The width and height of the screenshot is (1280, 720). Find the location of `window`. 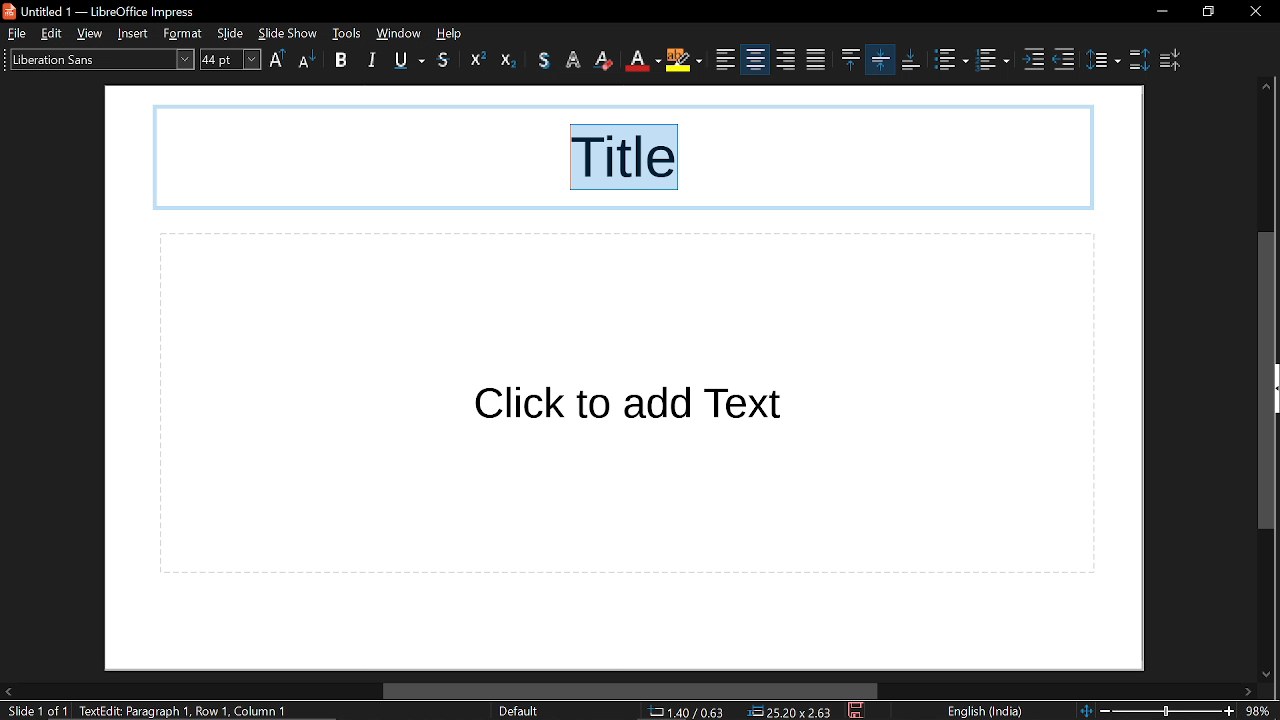

window is located at coordinates (398, 33).